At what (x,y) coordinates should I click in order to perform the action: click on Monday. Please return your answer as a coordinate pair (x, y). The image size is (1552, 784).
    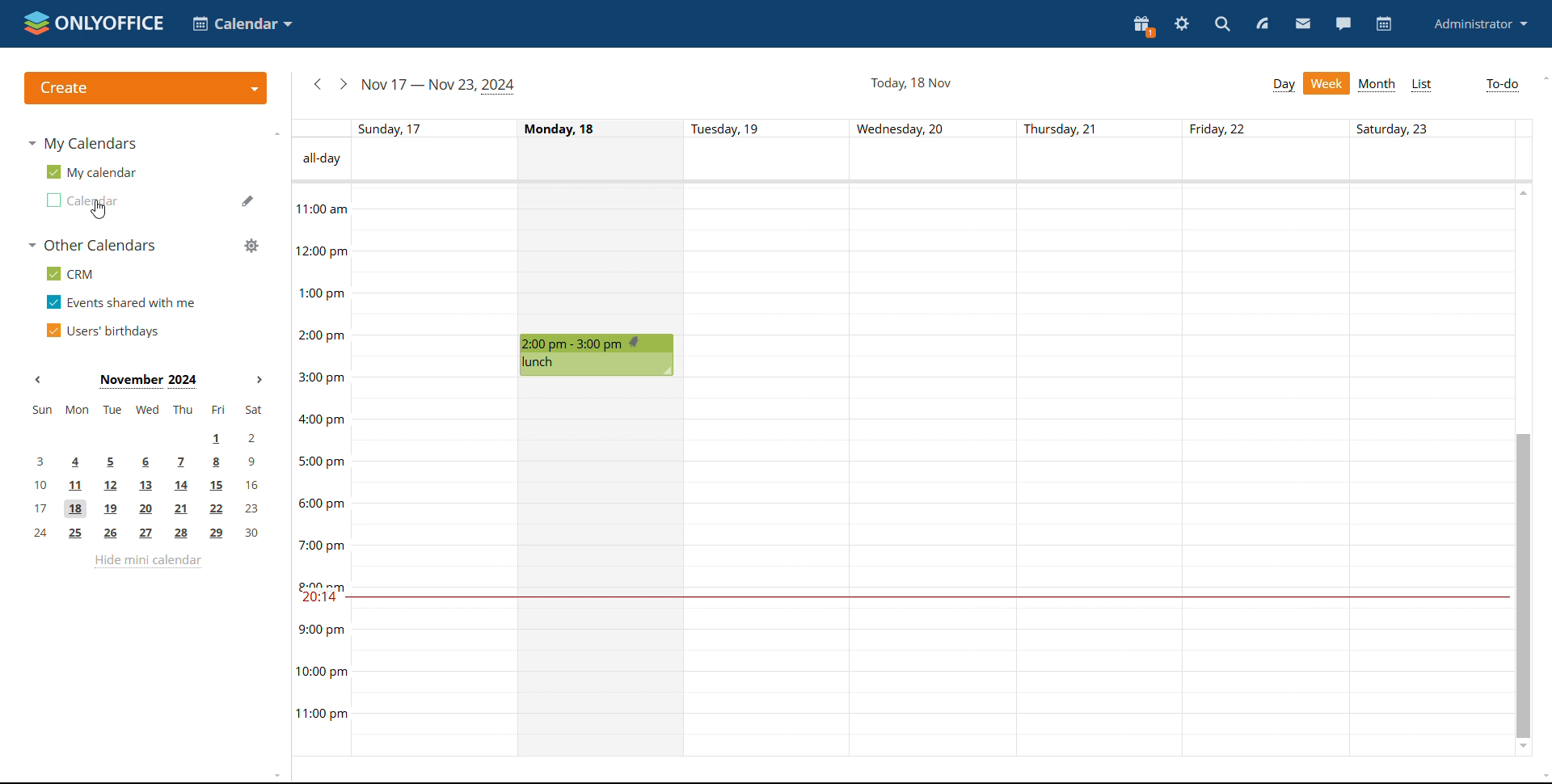
    Looking at the image, I should click on (601, 259).